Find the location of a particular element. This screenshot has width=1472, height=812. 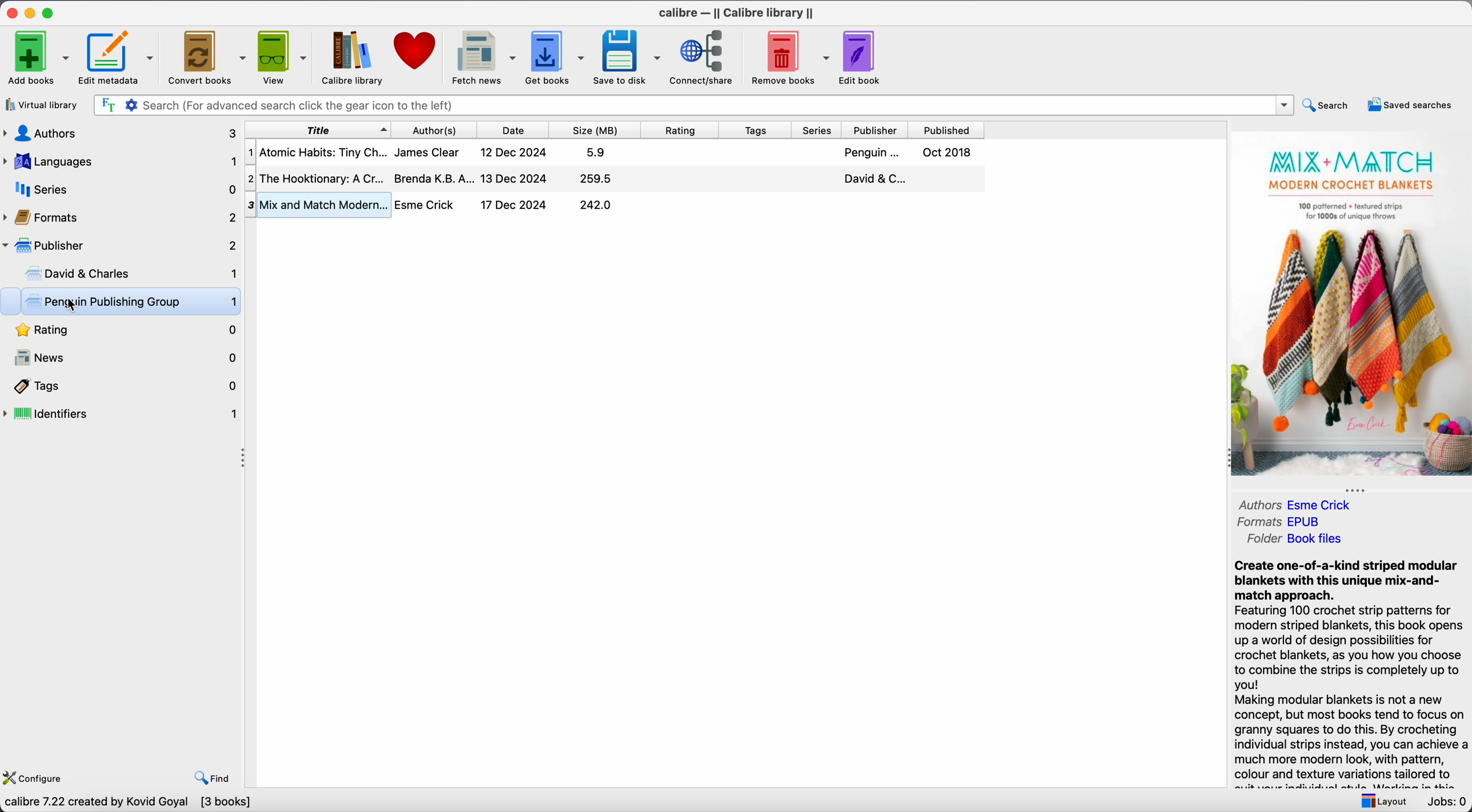

formats is located at coordinates (121, 215).